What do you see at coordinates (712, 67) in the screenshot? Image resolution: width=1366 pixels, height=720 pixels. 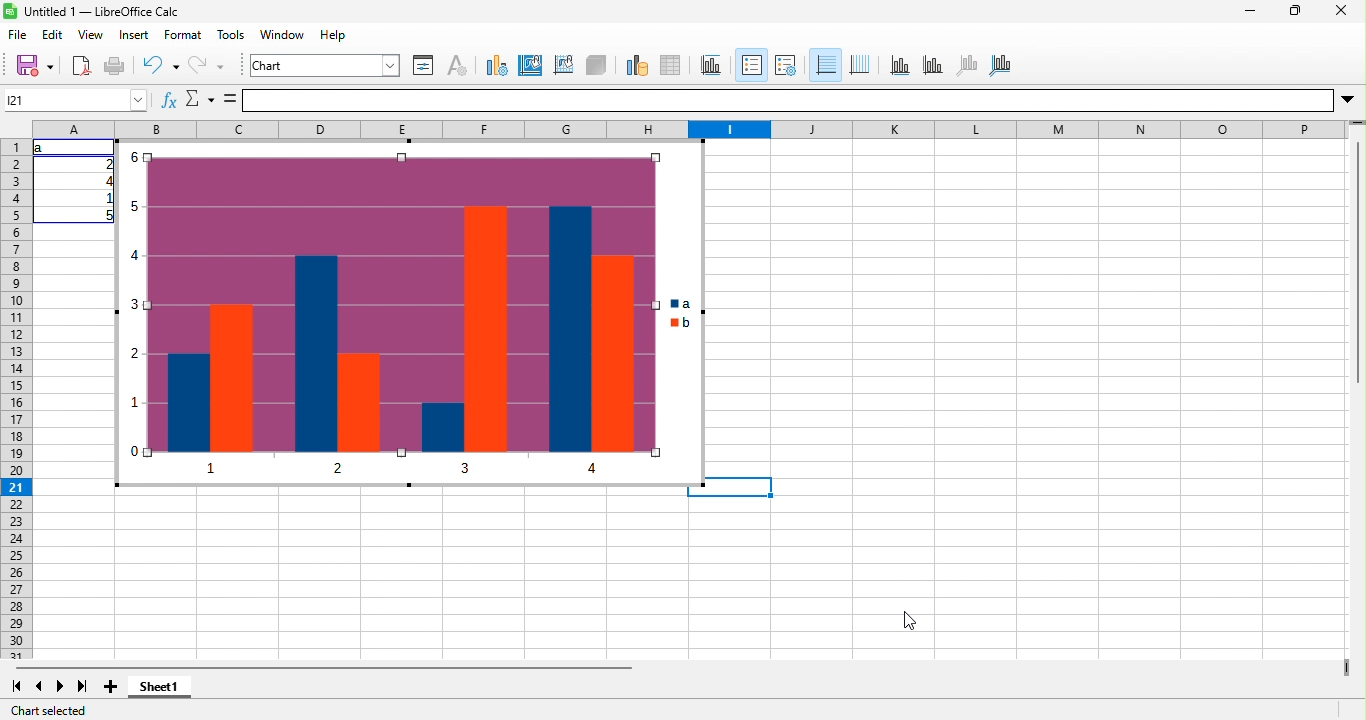 I see `title` at bounding box center [712, 67].